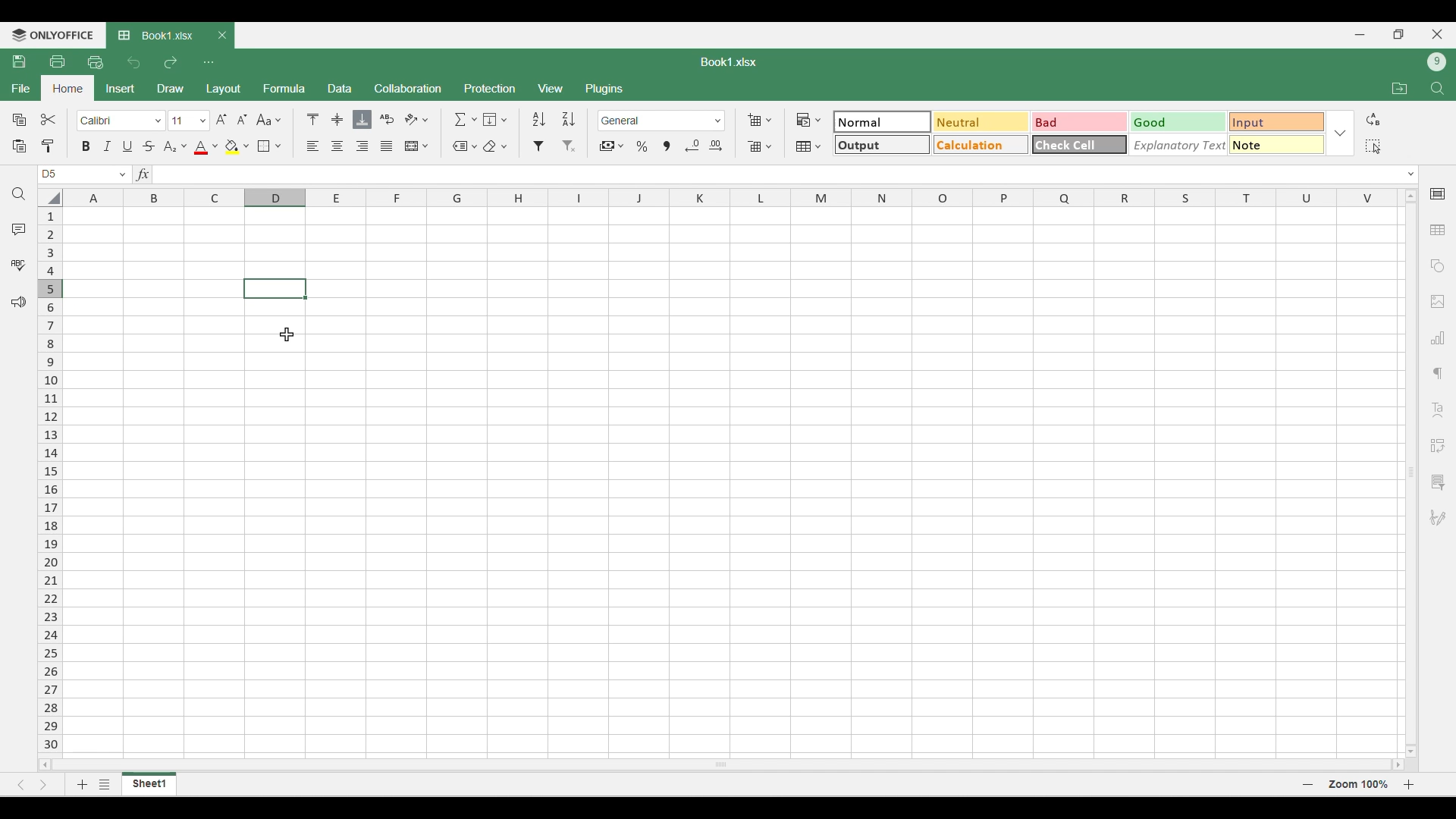 The width and height of the screenshot is (1456, 819). I want to click on Sort options, so click(554, 119).